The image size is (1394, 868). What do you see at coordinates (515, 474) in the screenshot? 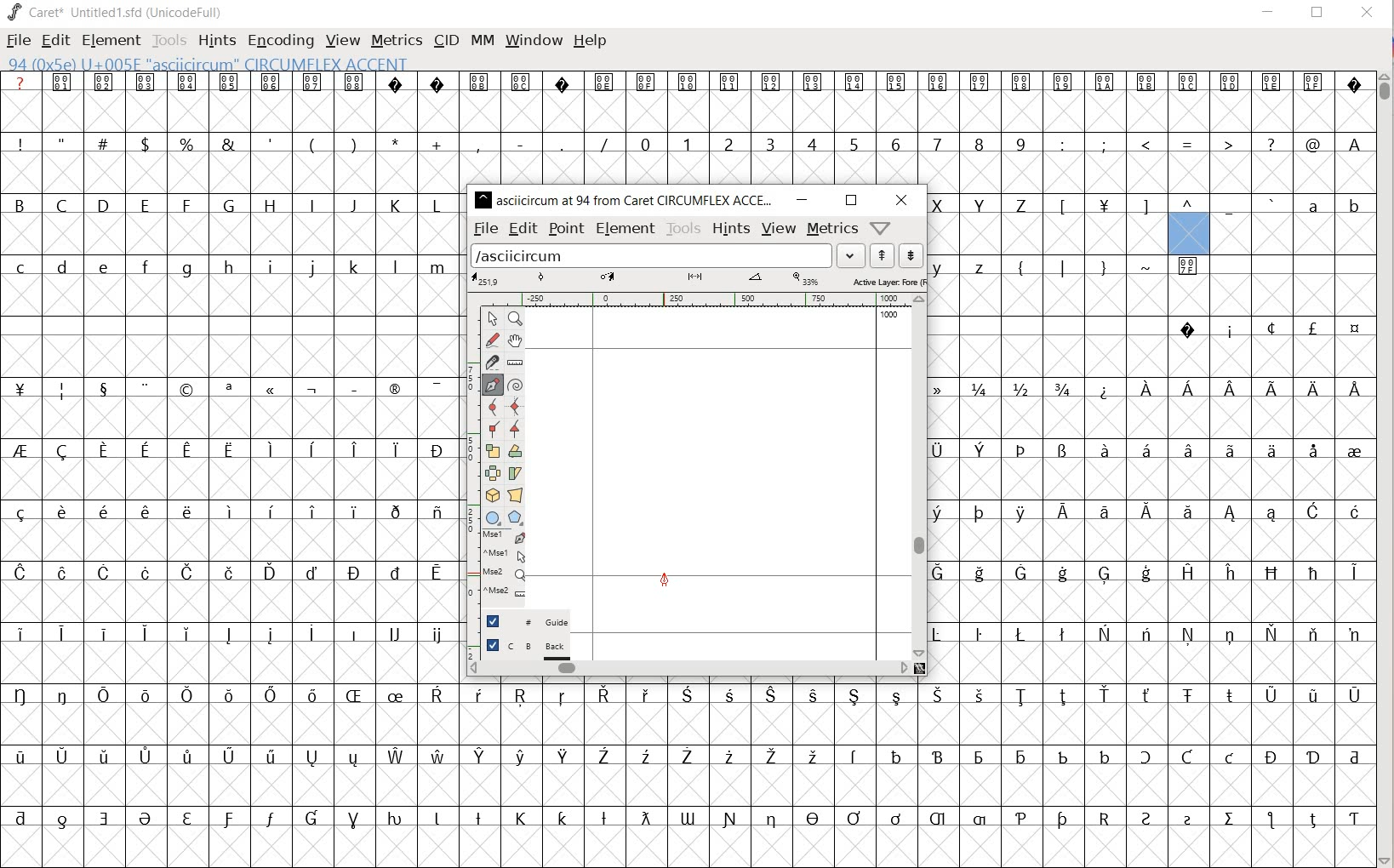
I see `skew the selection` at bounding box center [515, 474].